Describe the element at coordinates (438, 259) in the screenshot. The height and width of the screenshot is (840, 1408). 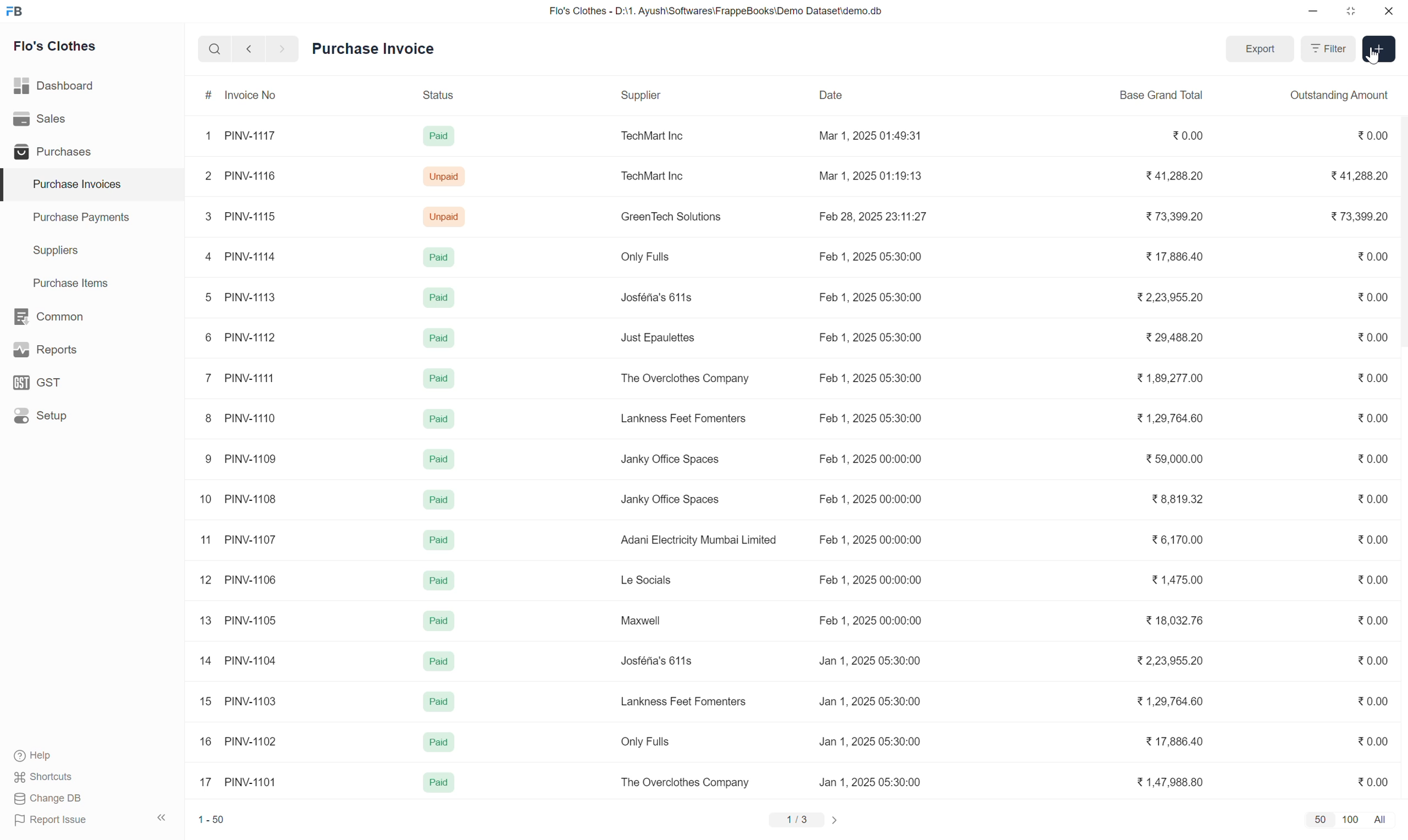
I see `Paid` at that location.